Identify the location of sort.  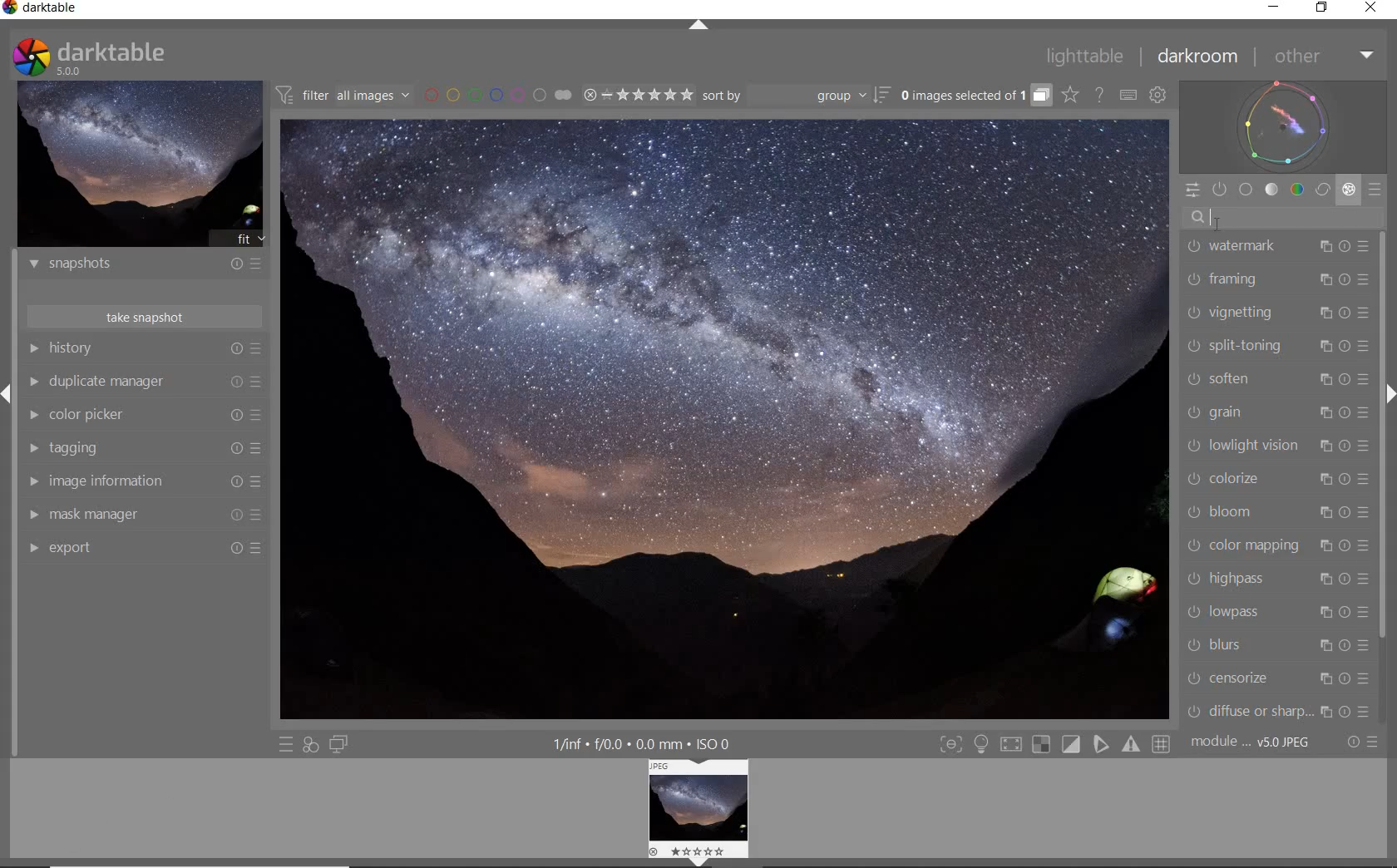
(881, 99).